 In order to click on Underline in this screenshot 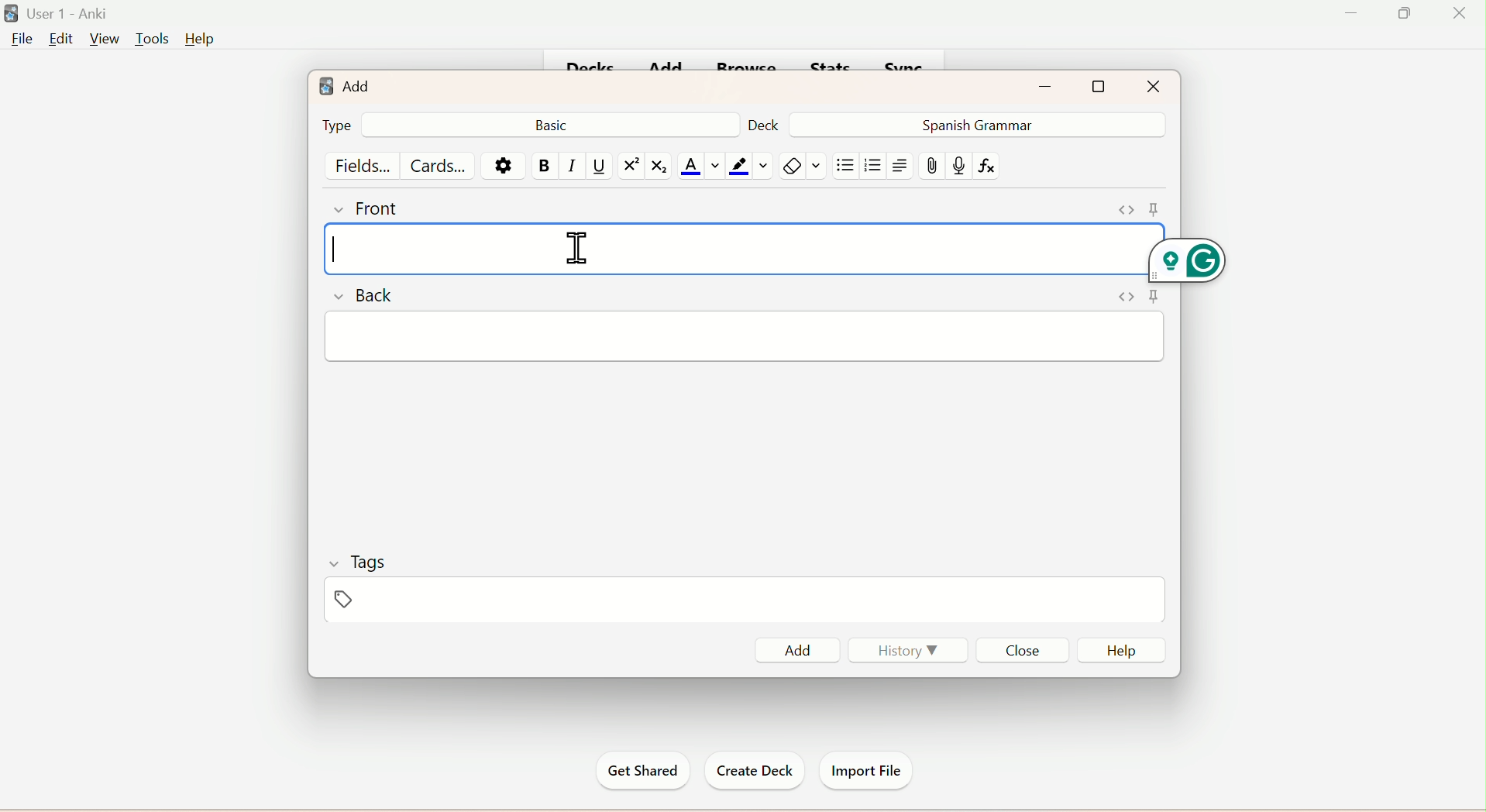, I will do `click(600, 167)`.